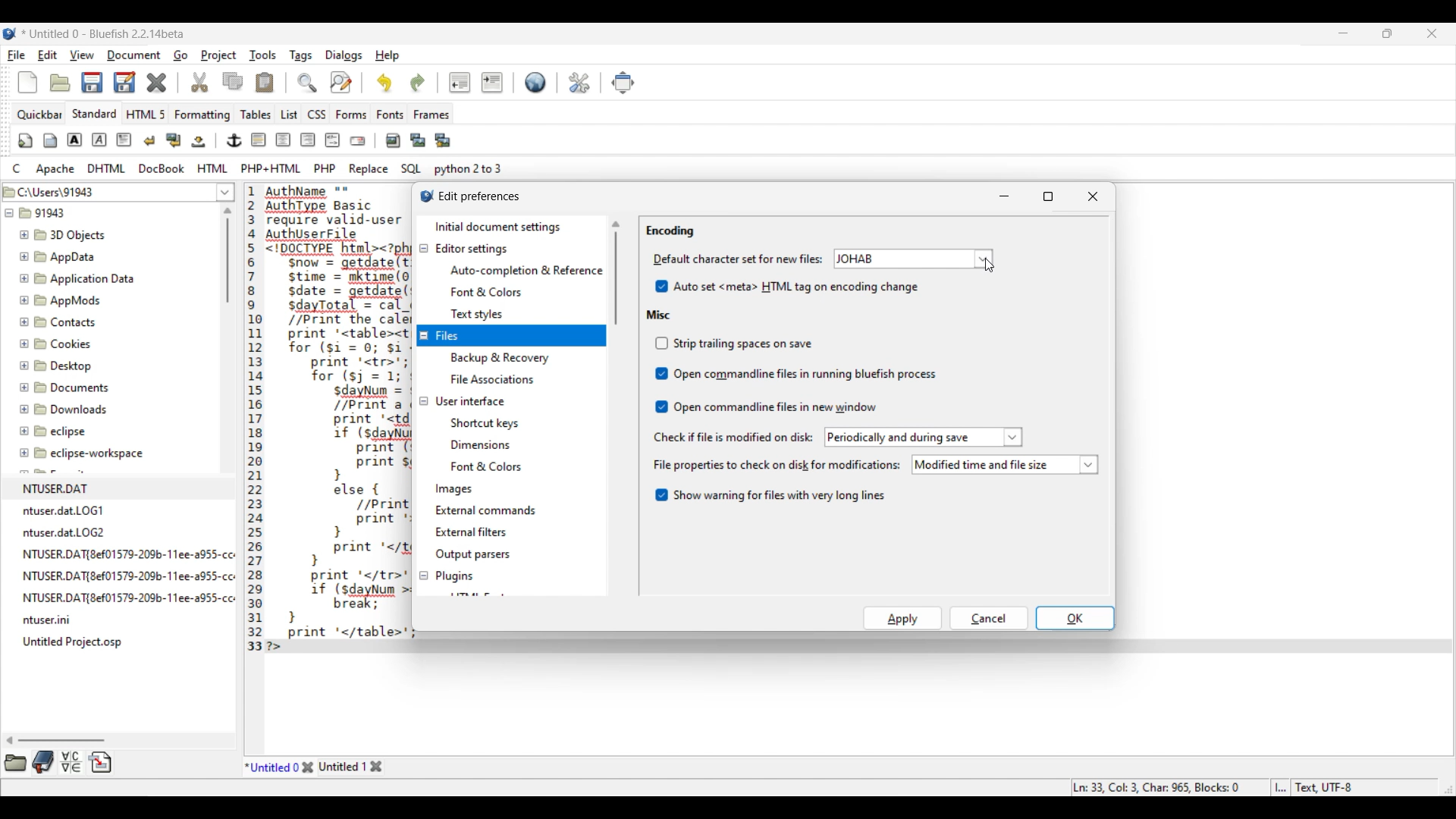 Image resolution: width=1456 pixels, height=819 pixels. What do you see at coordinates (580, 83) in the screenshot?
I see `Edit preferences highlighted by cursor` at bounding box center [580, 83].